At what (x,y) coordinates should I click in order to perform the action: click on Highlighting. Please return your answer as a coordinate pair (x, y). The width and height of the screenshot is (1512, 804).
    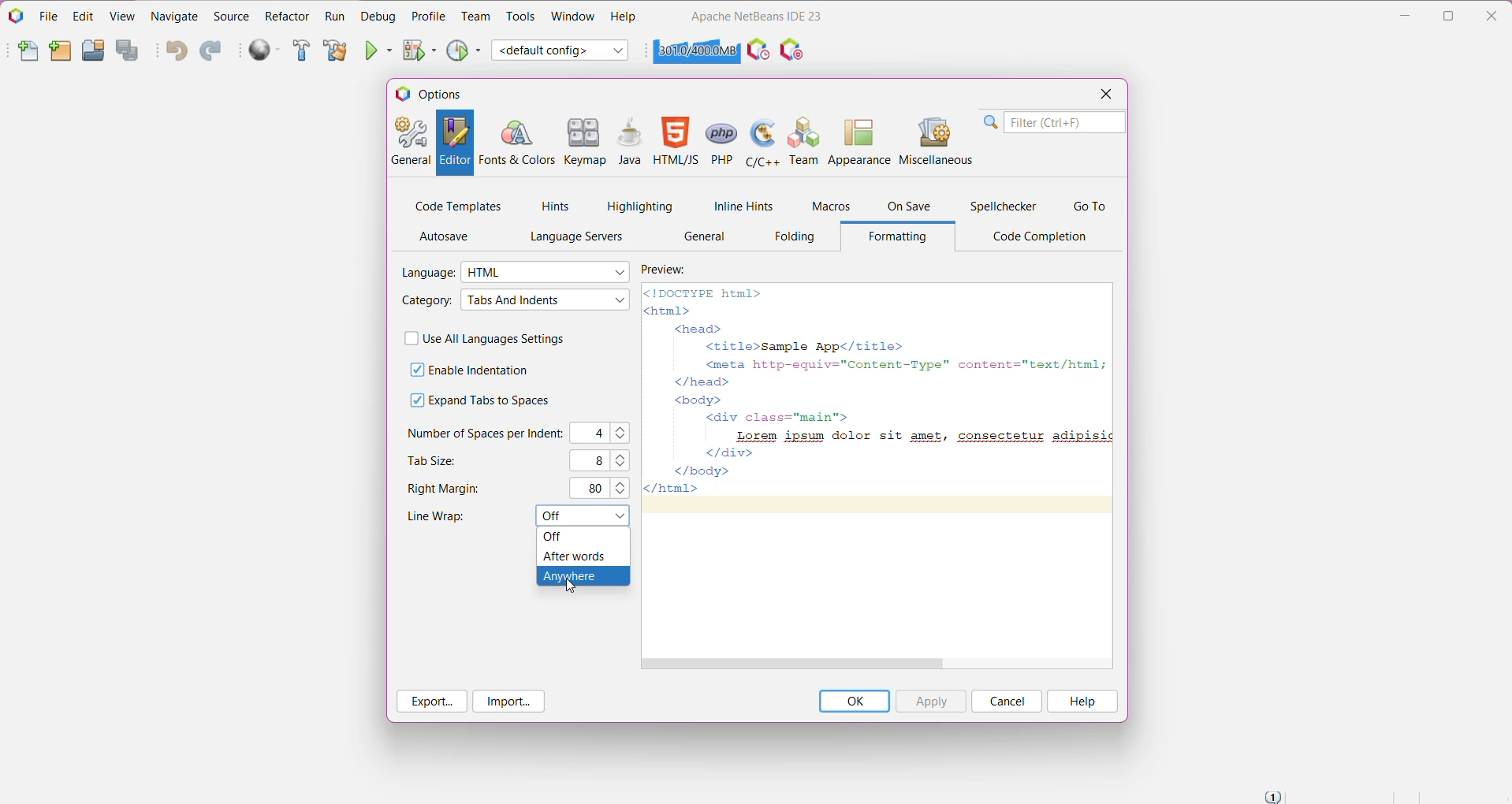
    Looking at the image, I should click on (640, 206).